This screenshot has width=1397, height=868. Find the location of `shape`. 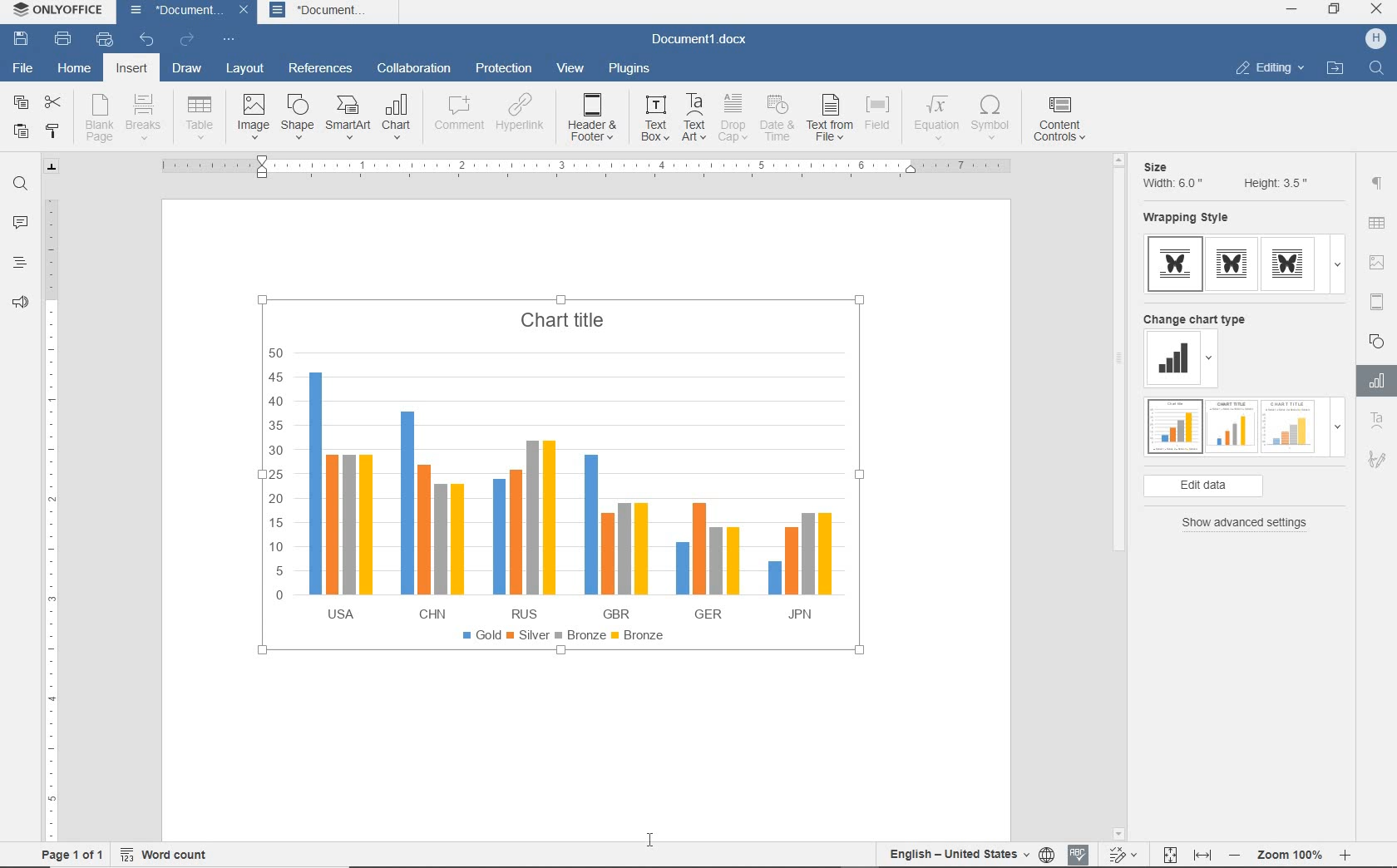

shape is located at coordinates (1376, 341).